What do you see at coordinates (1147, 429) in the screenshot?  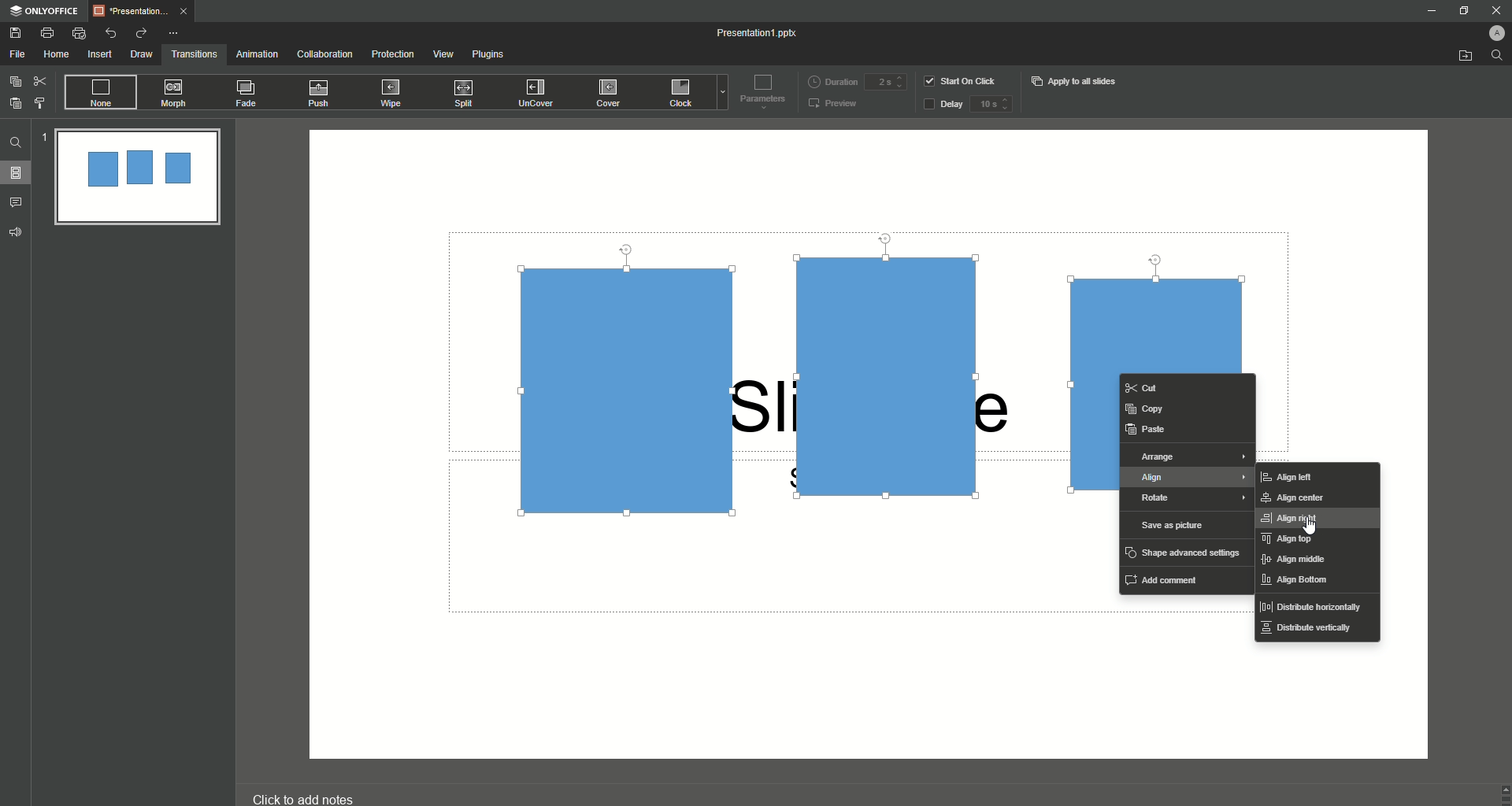 I see `Paste` at bounding box center [1147, 429].